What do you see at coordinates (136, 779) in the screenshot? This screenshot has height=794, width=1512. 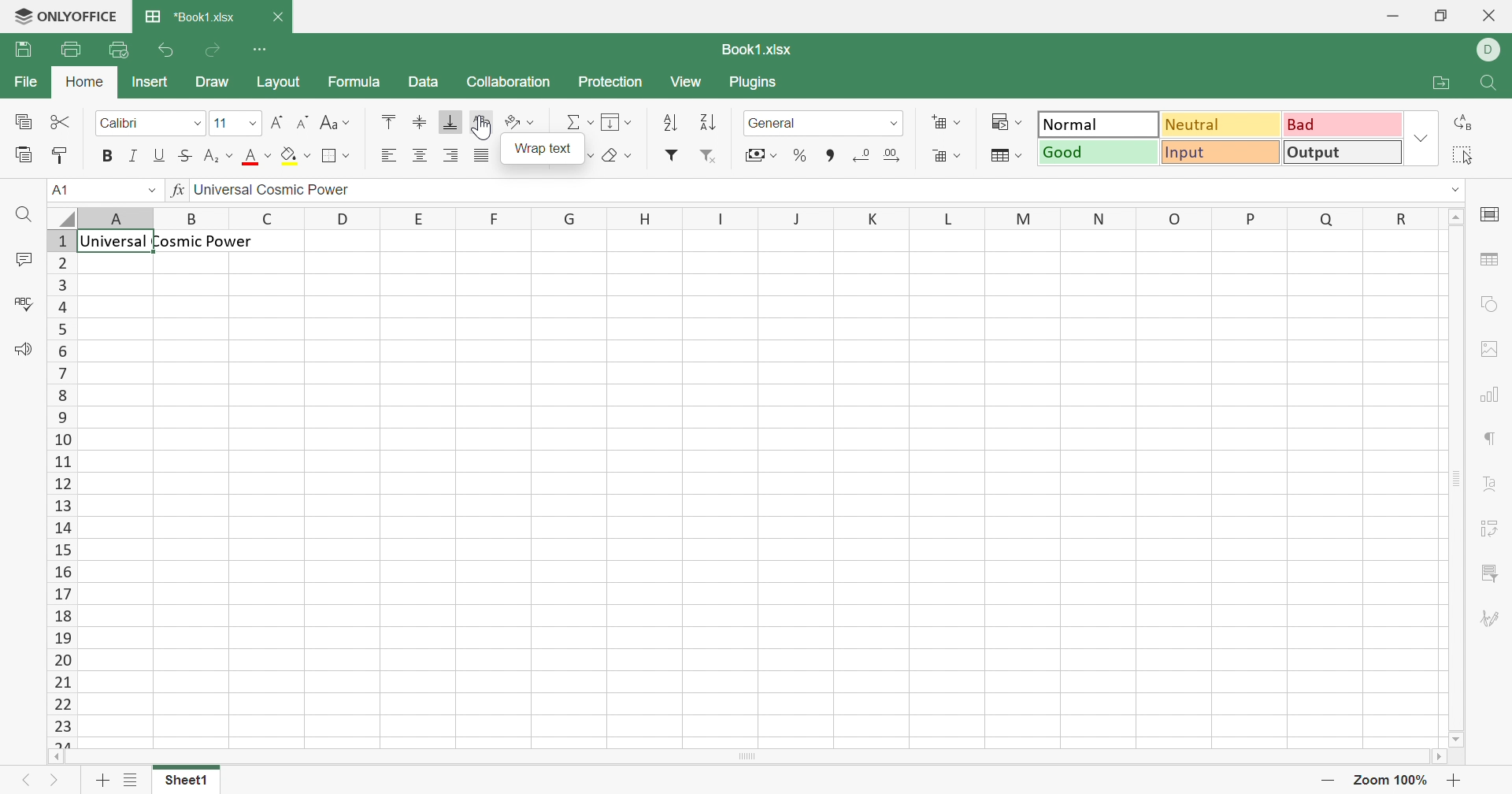 I see `List of sheets` at bounding box center [136, 779].